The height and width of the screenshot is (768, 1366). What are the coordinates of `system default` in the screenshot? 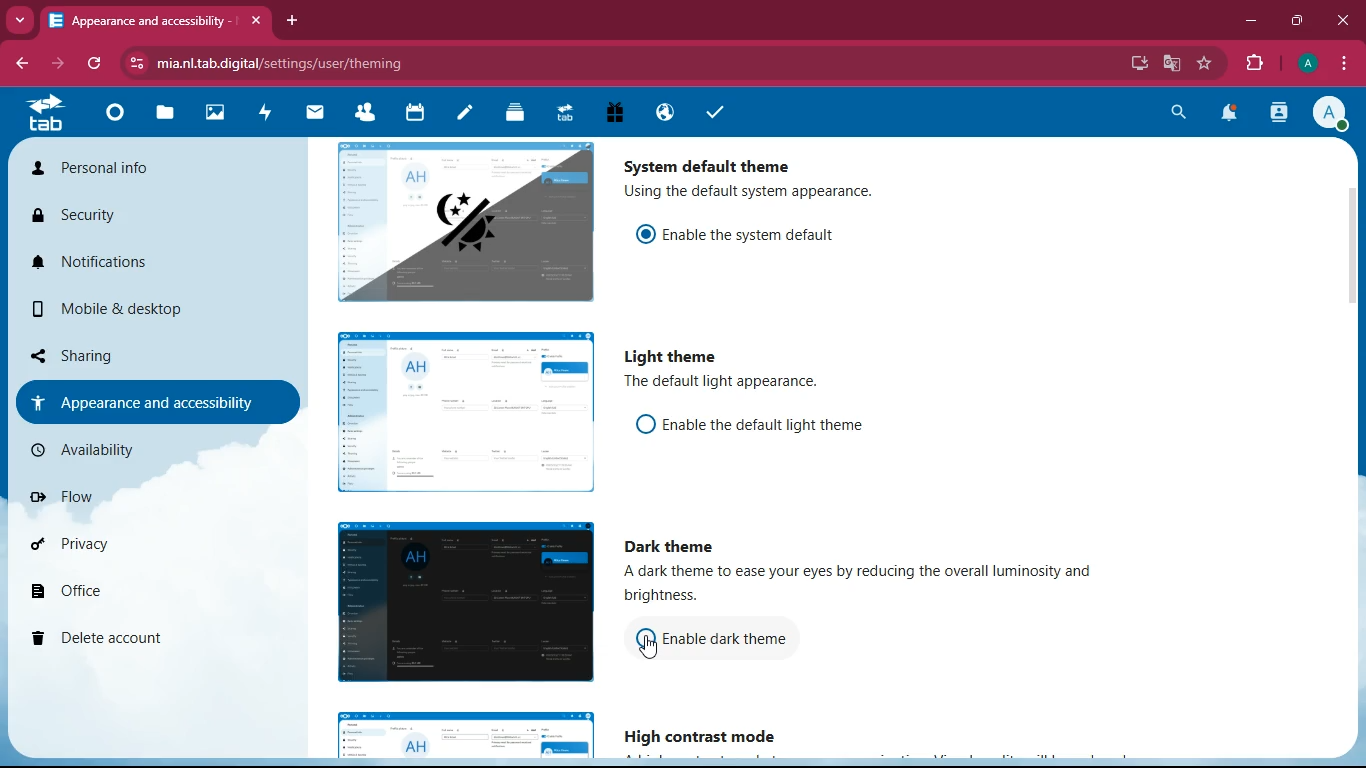 It's located at (711, 162).